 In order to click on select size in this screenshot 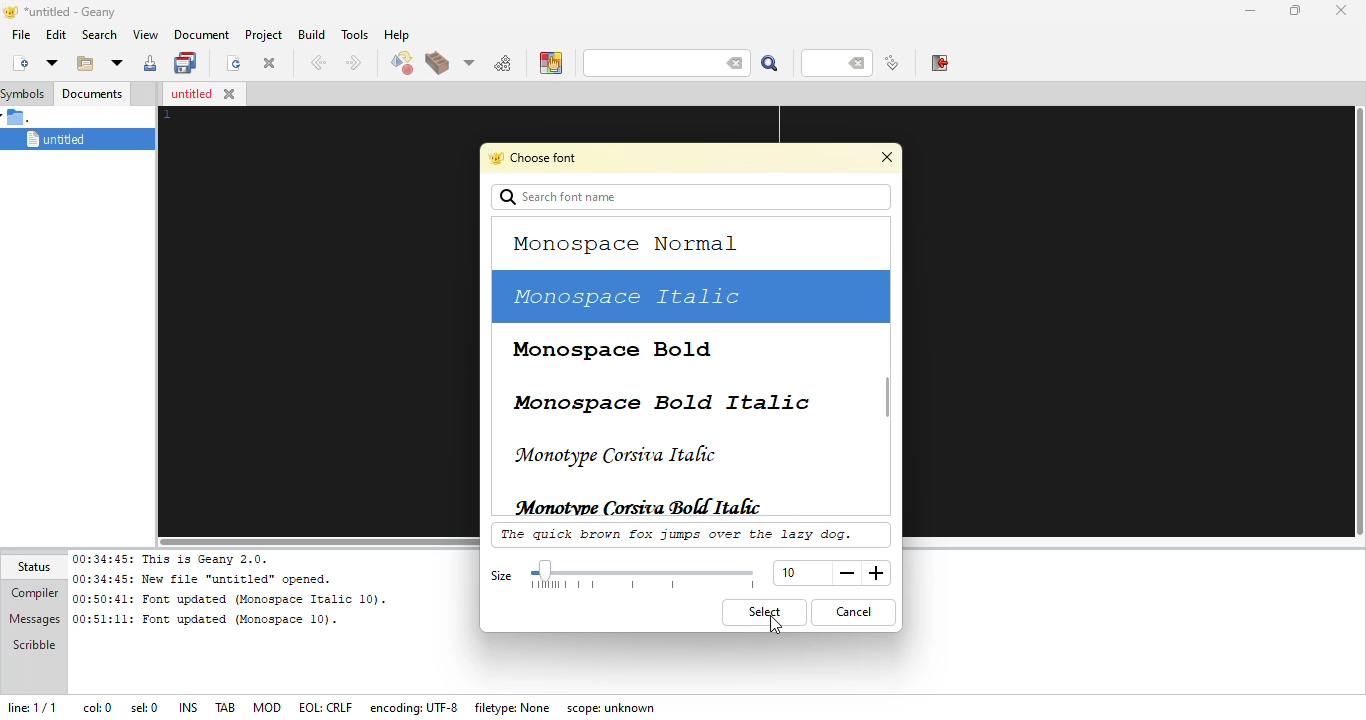, I will do `click(645, 572)`.